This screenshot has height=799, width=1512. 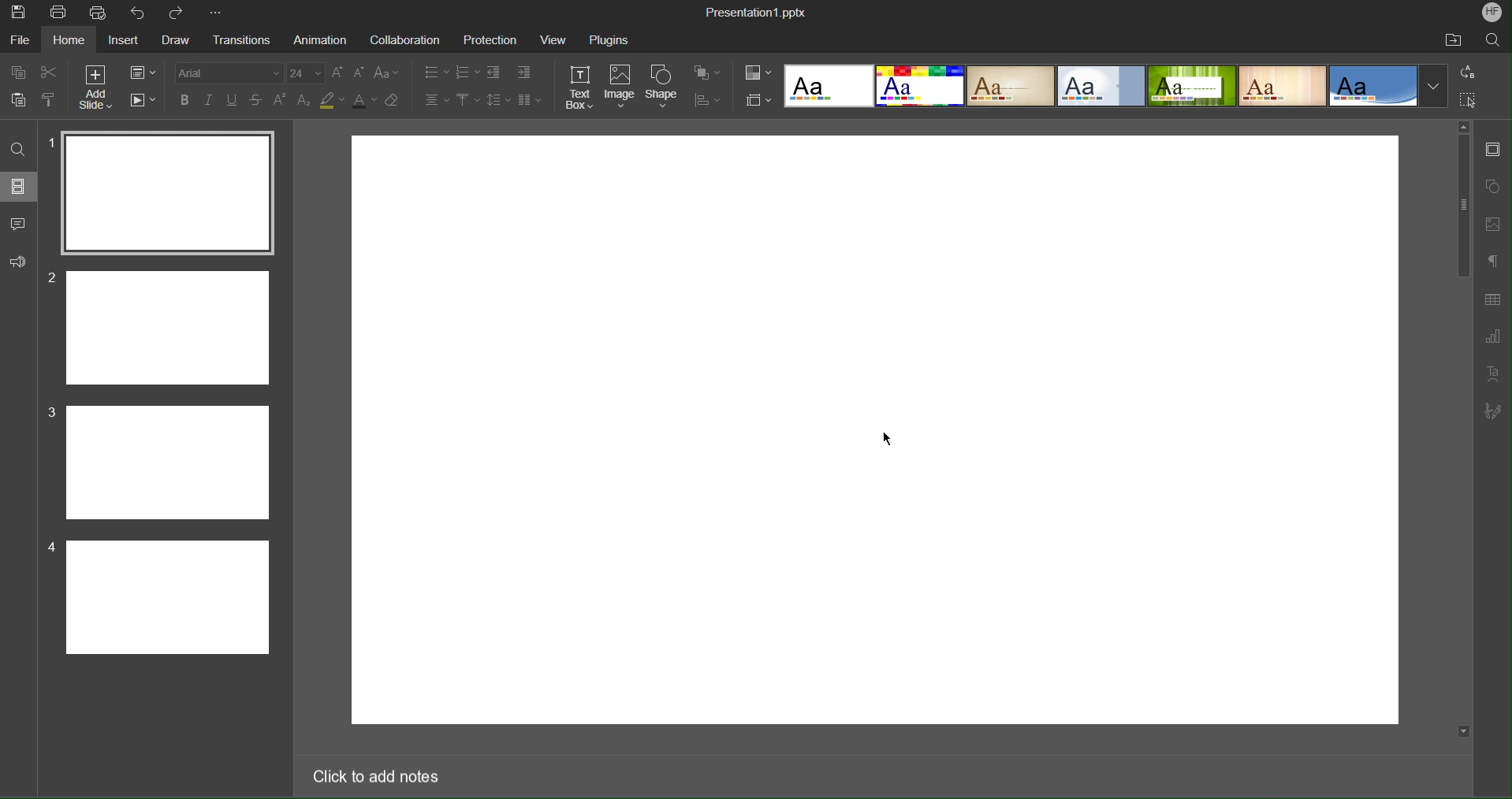 I want to click on Collaboration, so click(x=404, y=39).